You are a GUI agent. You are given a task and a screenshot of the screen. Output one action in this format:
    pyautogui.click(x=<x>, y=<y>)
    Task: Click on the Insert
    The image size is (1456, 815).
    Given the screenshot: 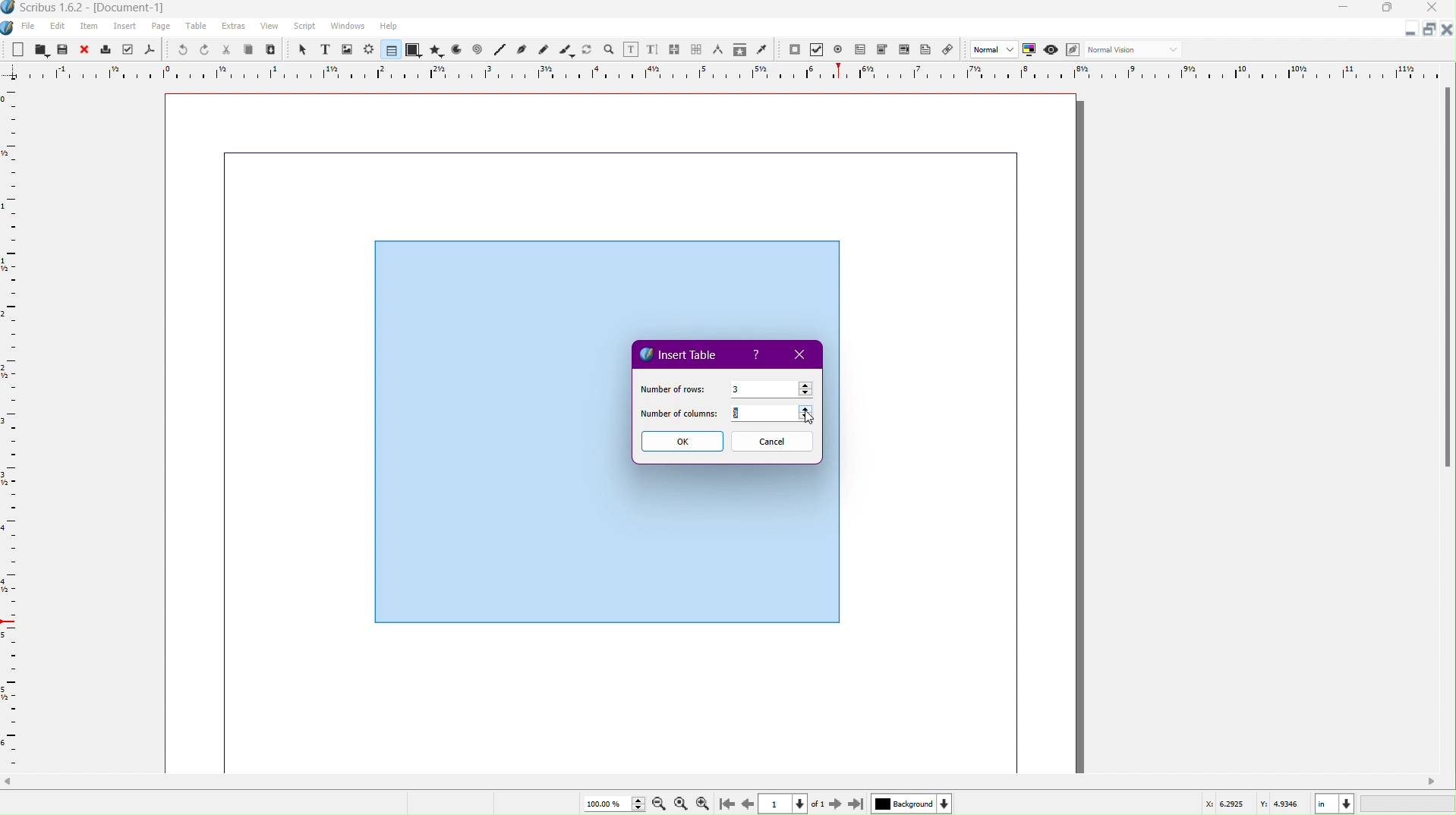 What is the action you would take?
    pyautogui.click(x=125, y=27)
    